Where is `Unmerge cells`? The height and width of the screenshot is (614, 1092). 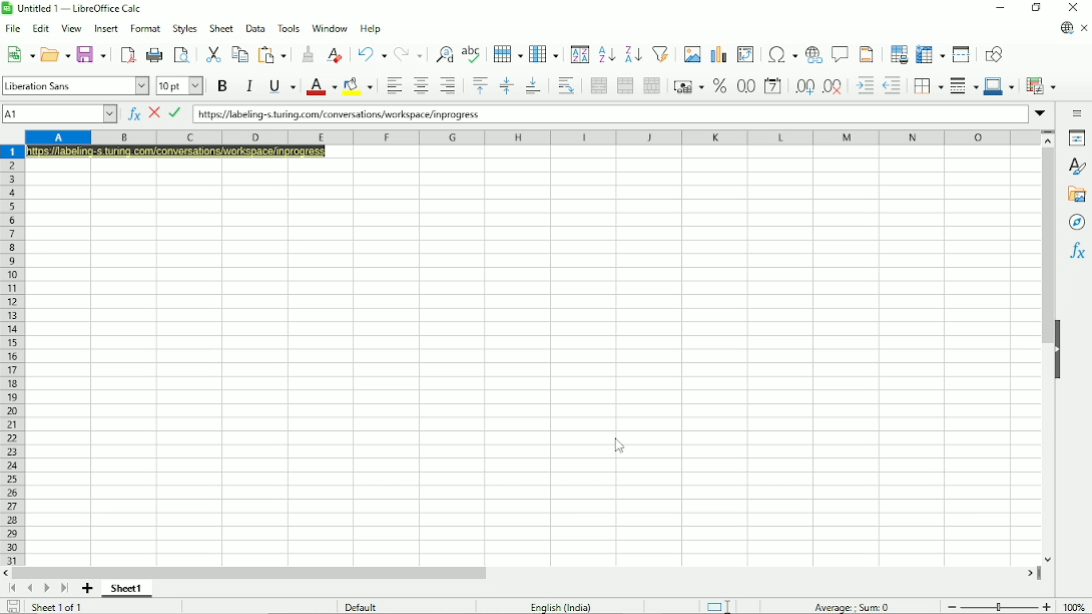 Unmerge cells is located at coordinates (652, 85).